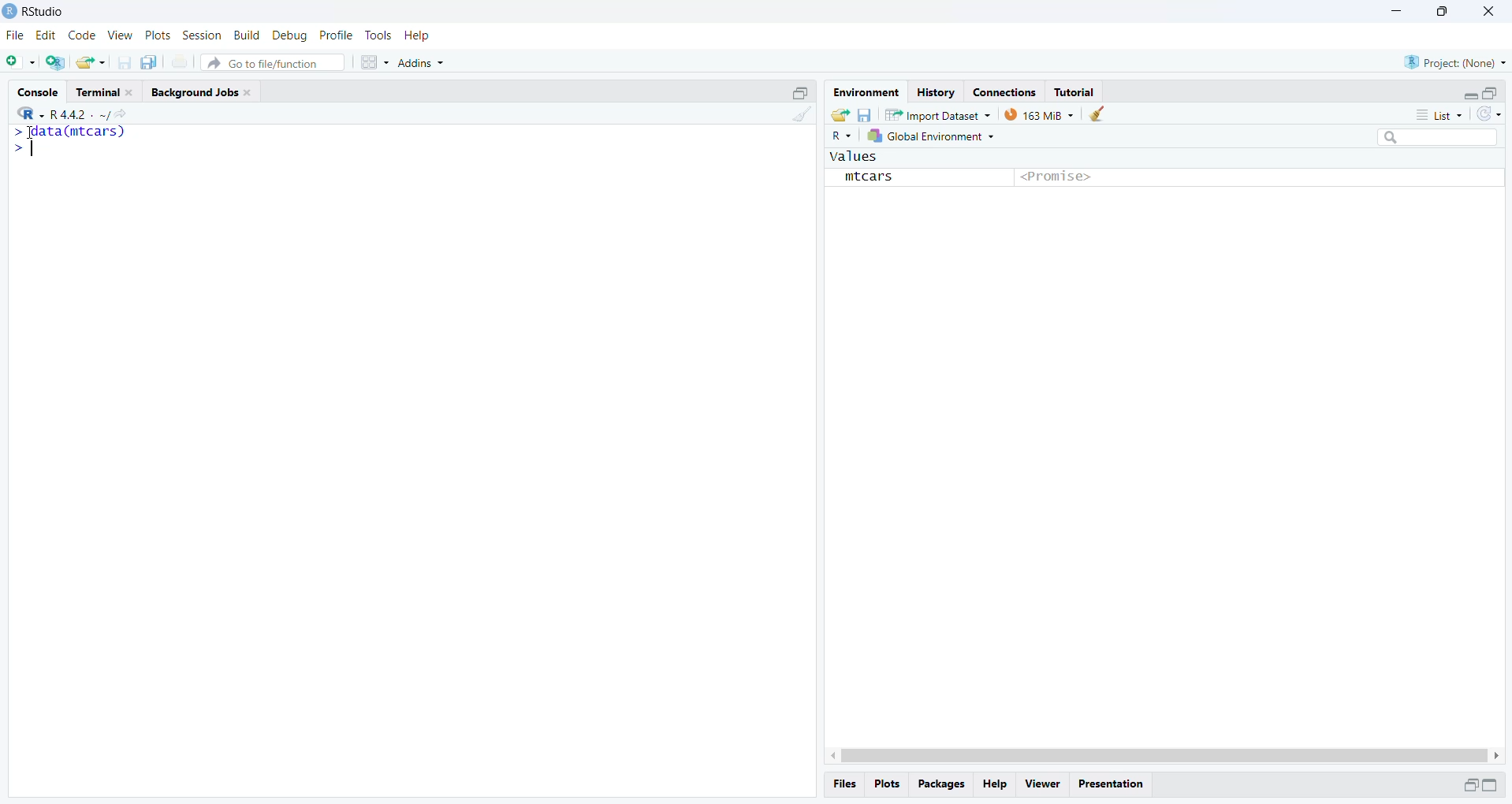  Describe the element at coordinates (1472, 784) in the screenshot. I see `open in separate window` at that location.